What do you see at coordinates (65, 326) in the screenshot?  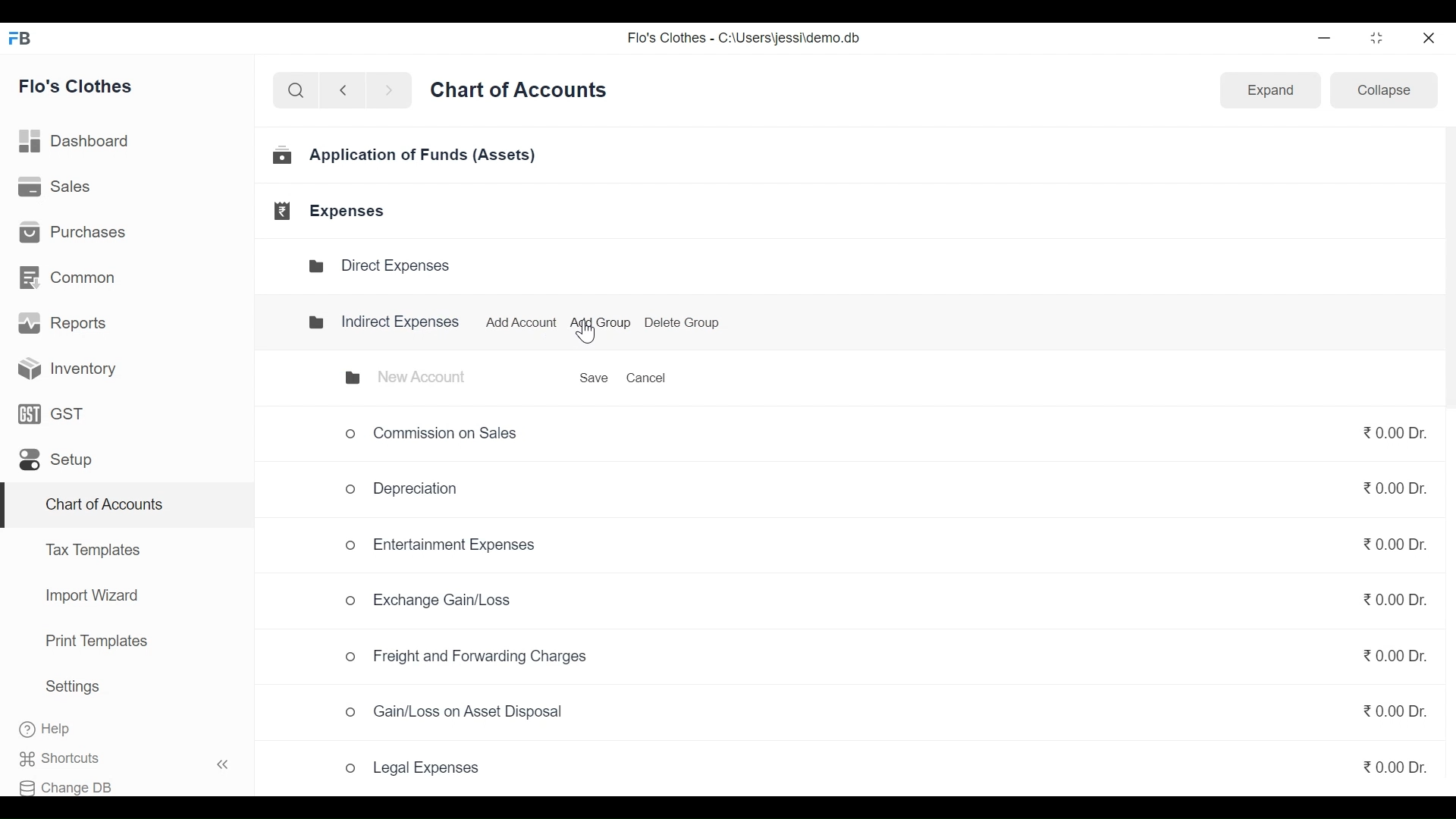 I see `Reports` at bounding box center [65, 326].